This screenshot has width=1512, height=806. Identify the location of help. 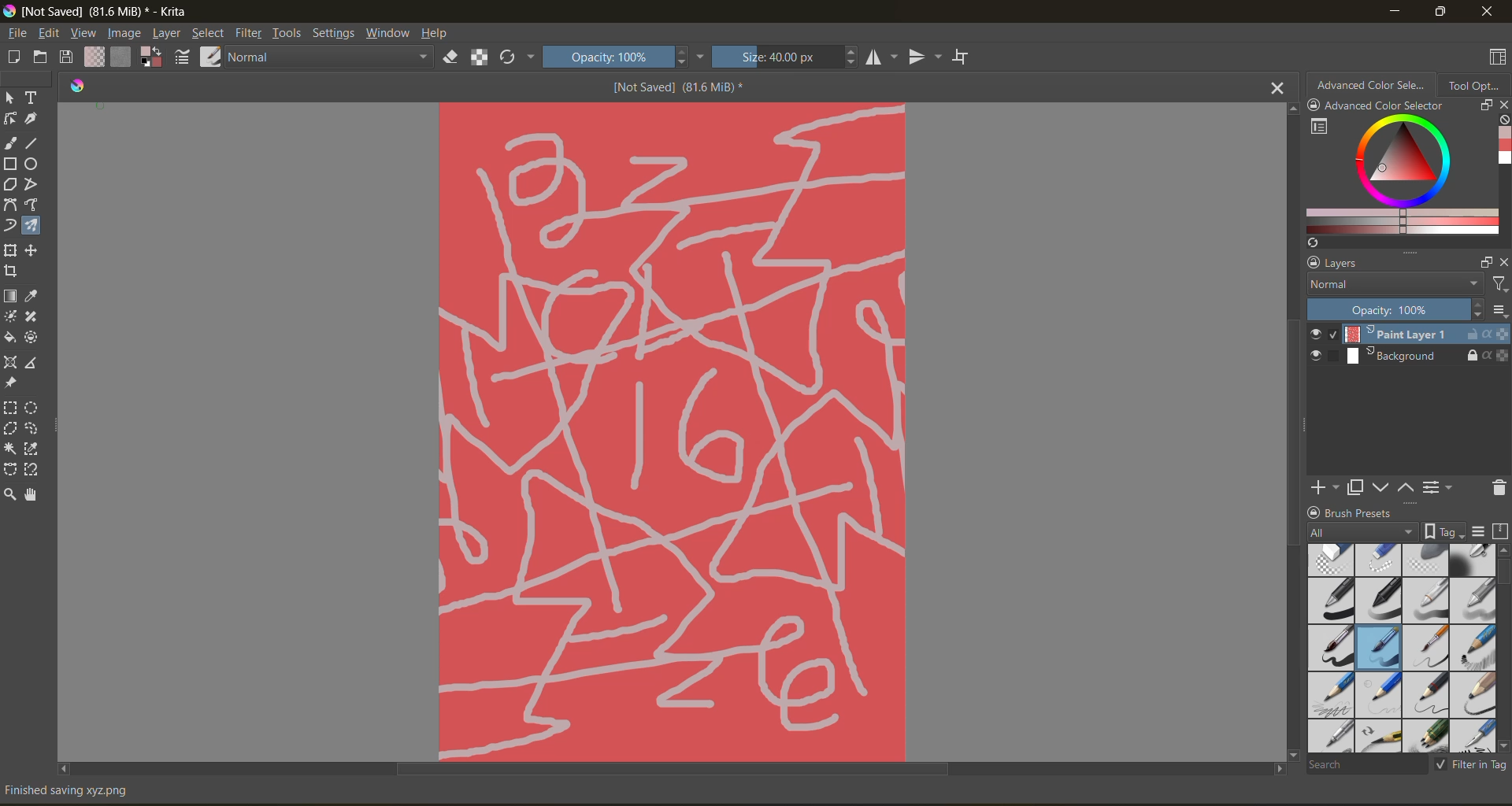
(435, 35).